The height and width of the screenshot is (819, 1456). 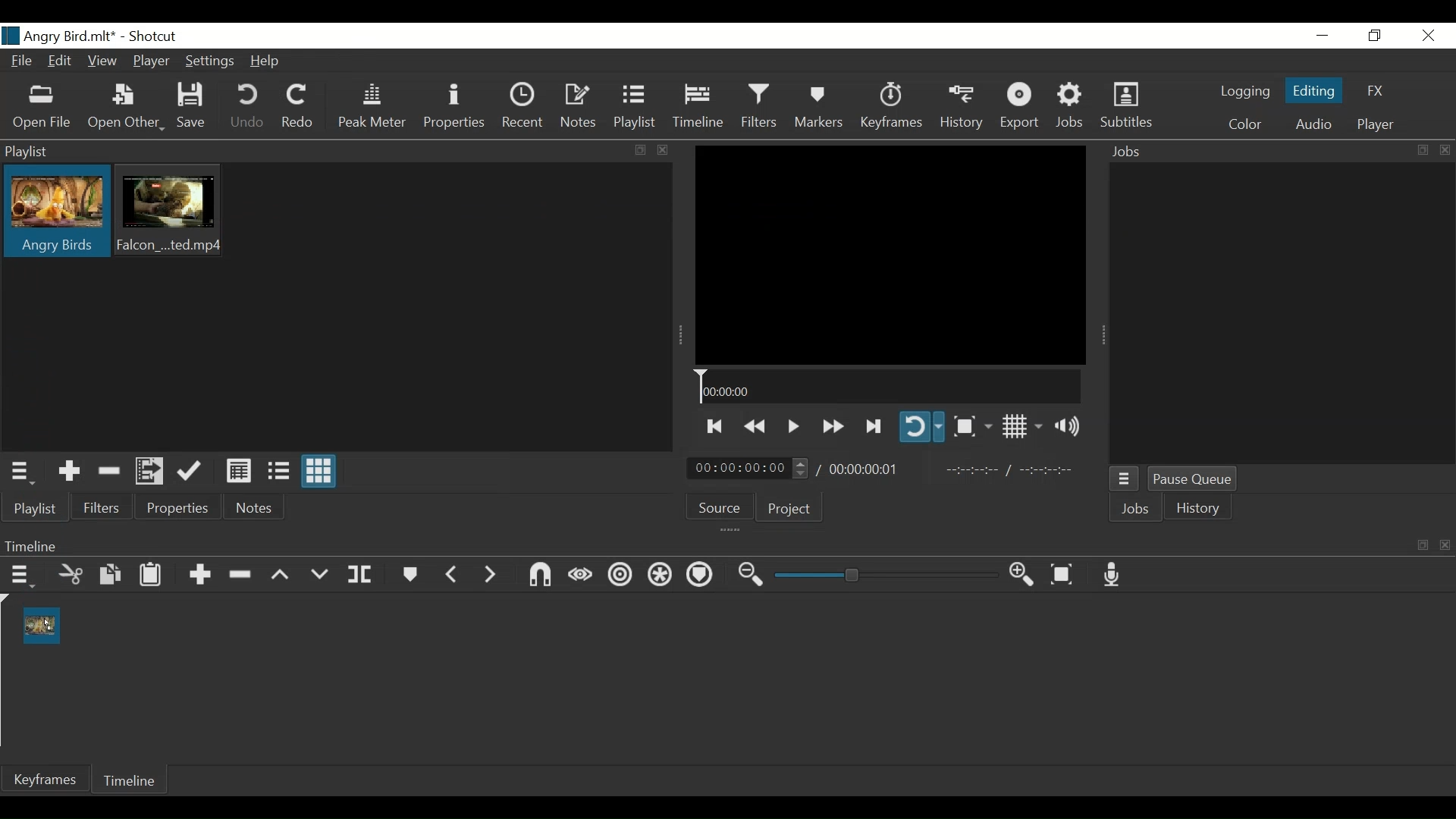 I want to click on Cut, so click(x=71, y=574).